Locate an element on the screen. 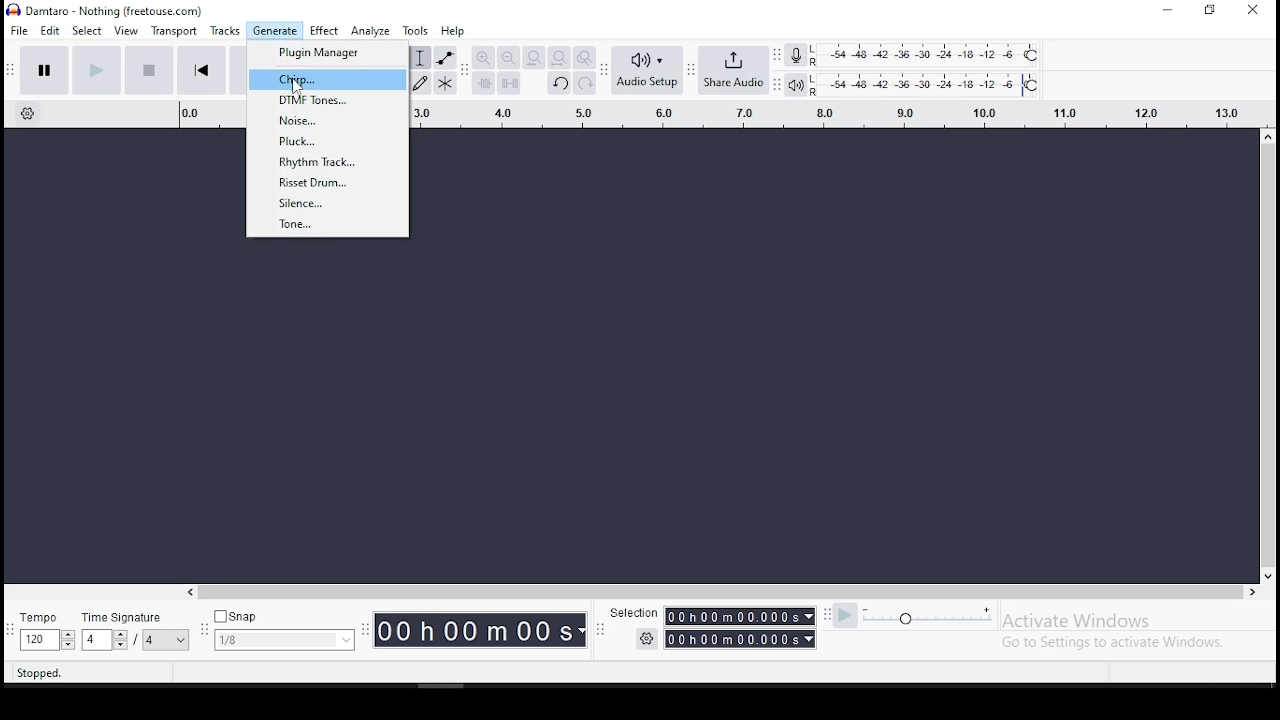 Image resolution: width=1280 pixels, height=720 pixels. track's timing is located at coordinates (828, 111).